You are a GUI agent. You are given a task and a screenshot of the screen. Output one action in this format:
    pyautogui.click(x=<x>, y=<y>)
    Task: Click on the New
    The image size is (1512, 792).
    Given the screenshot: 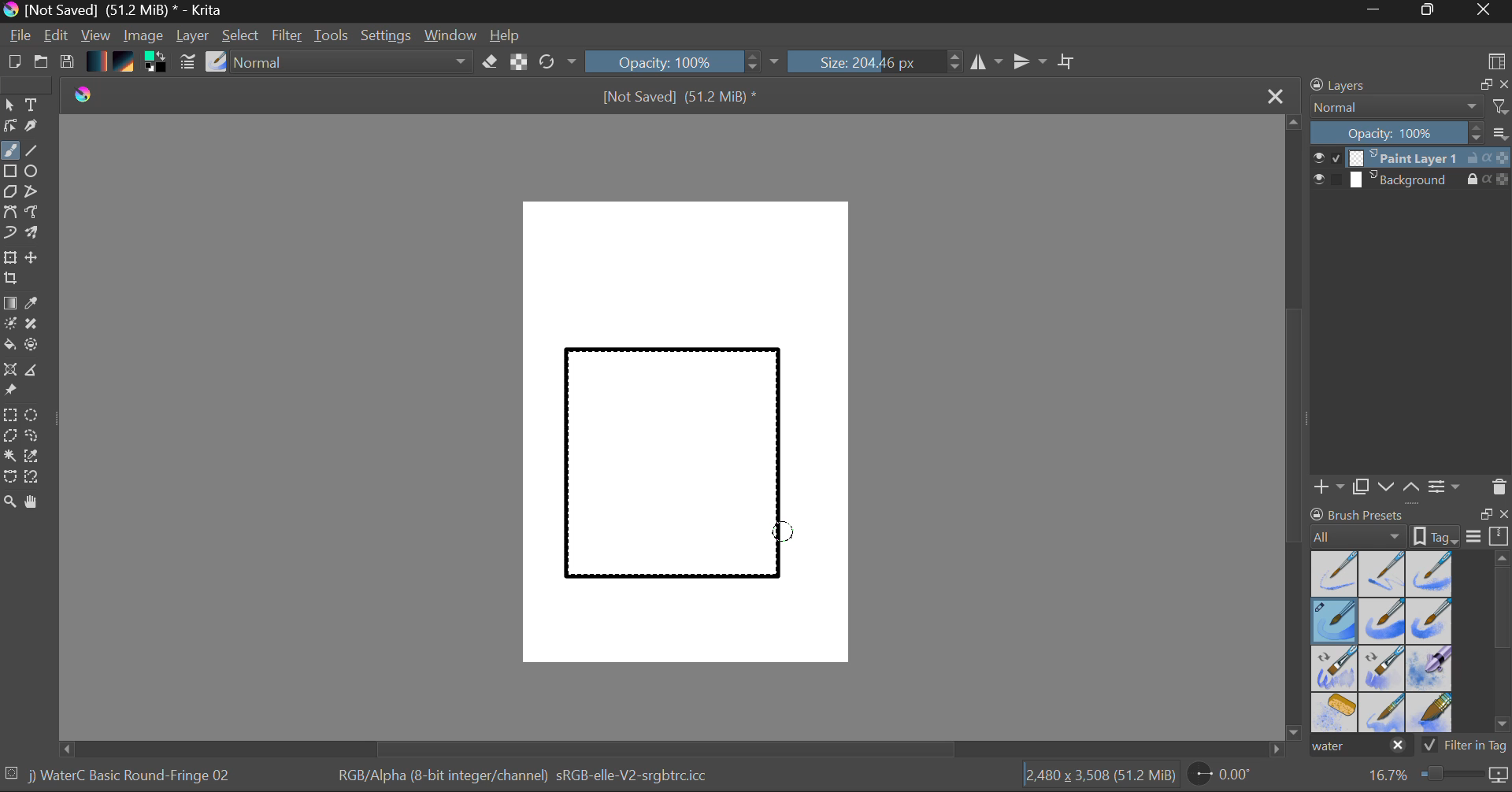 What is the action you would take?
    pyautogui.click(x=13, y=64)
    